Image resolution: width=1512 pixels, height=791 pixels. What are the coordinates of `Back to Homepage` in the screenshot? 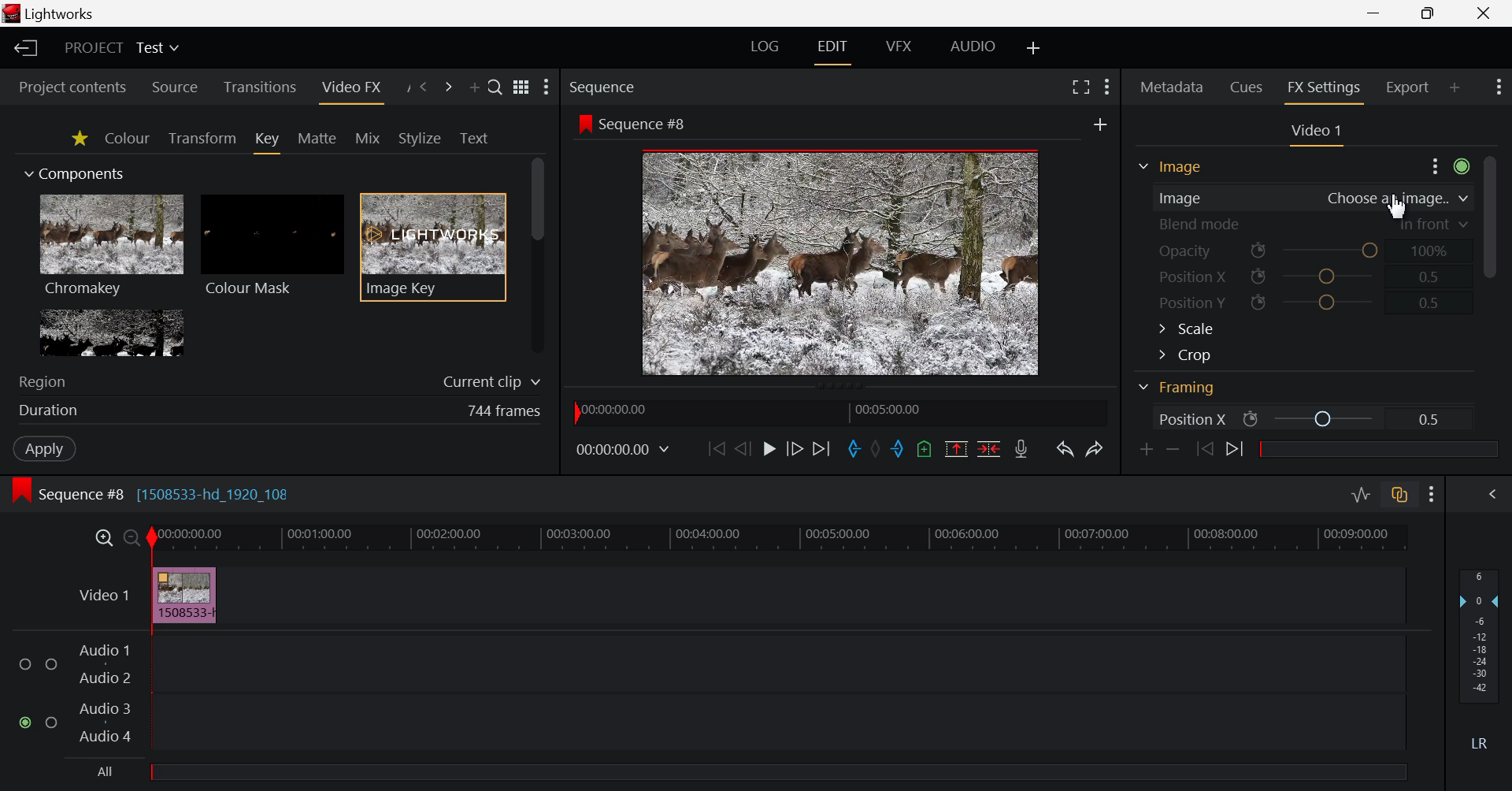 It's located at (22, 47).